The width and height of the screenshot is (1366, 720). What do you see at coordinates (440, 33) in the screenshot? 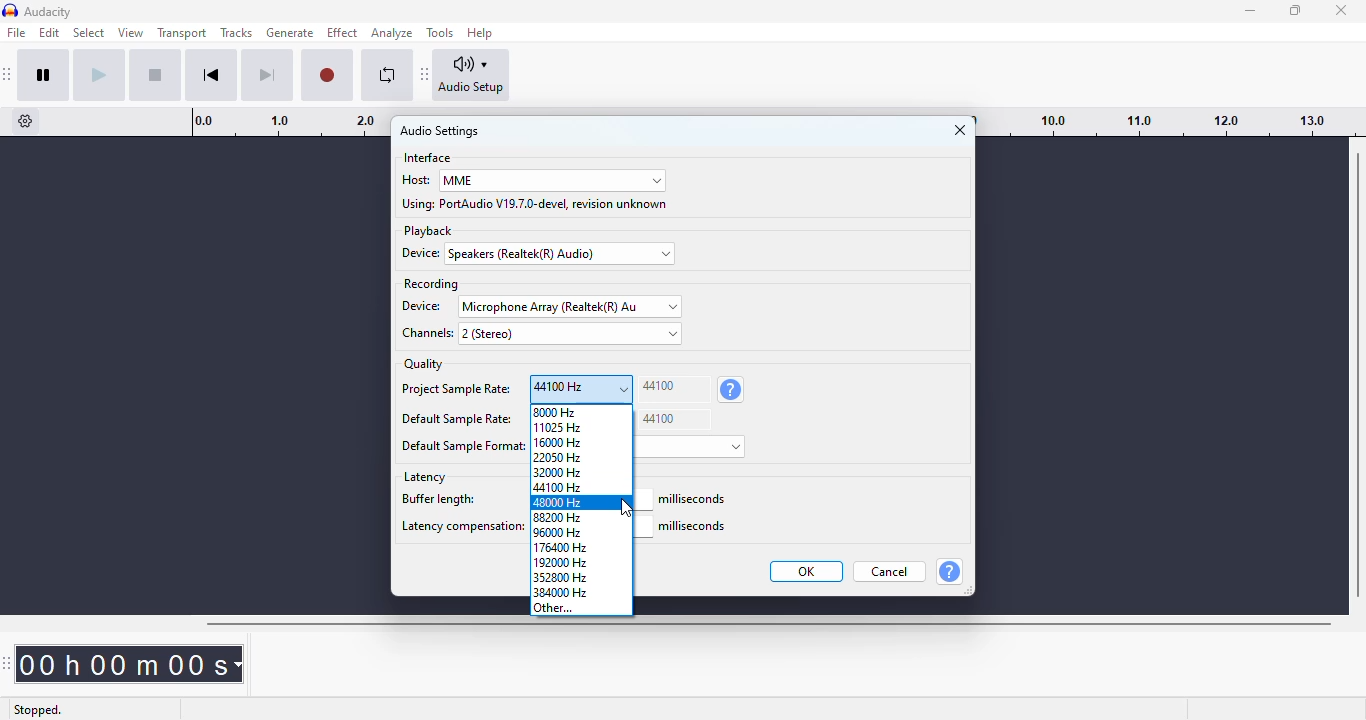
I see `tools` at bounding box center [440, 33].